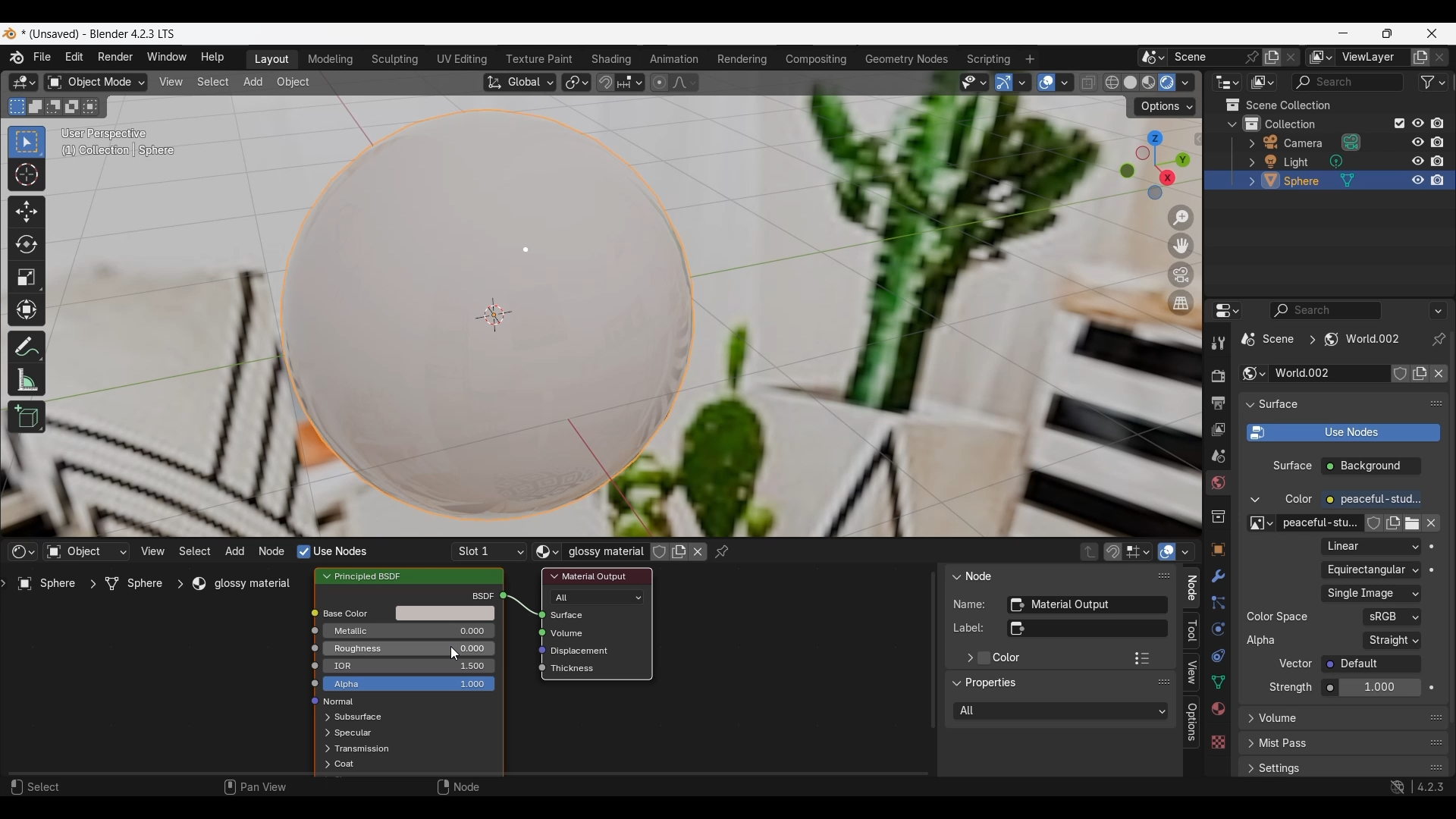 The width and height of the screenshot is (1456, 819). What do you see at coordinates (1291, 57) in the screenshot?
I see `Delete scene` at bounding box center [1291, 57].